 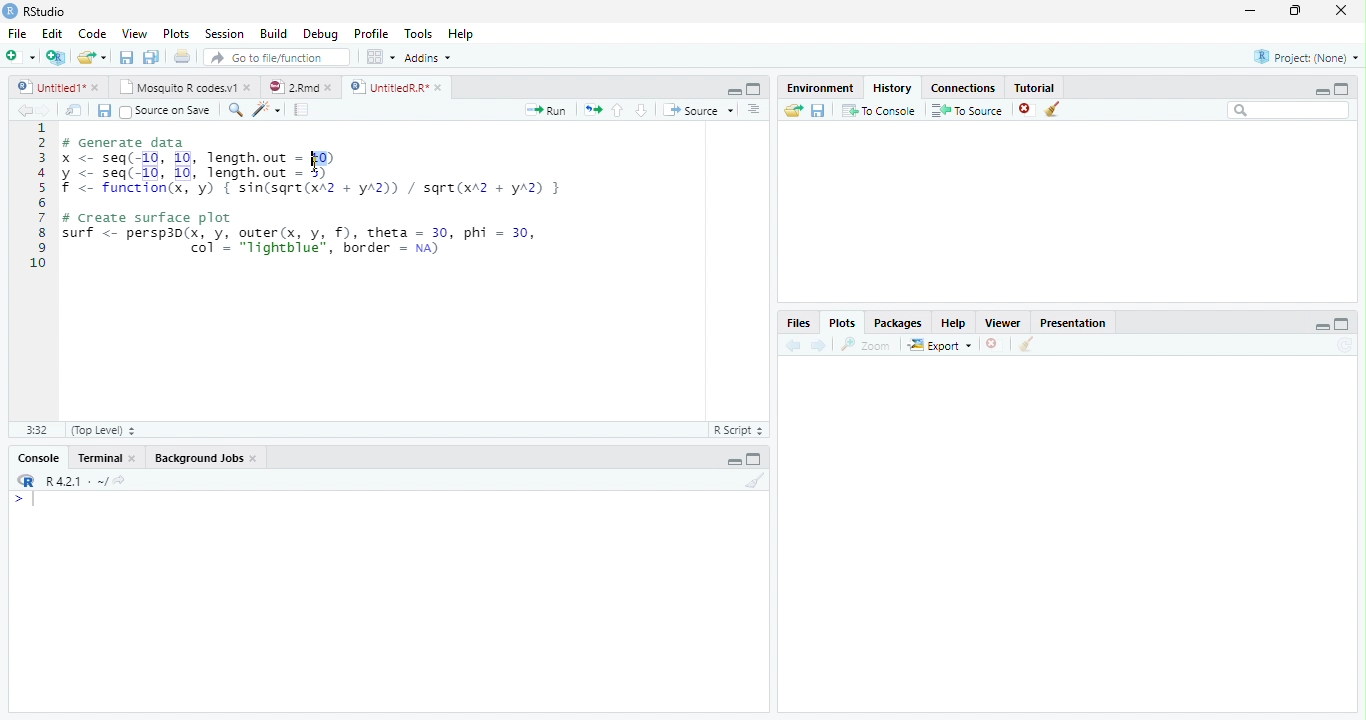 What do you see at coordinates (1342, 89) in the screenshot?
I see `maximize` at bounding box center [1342, 89].